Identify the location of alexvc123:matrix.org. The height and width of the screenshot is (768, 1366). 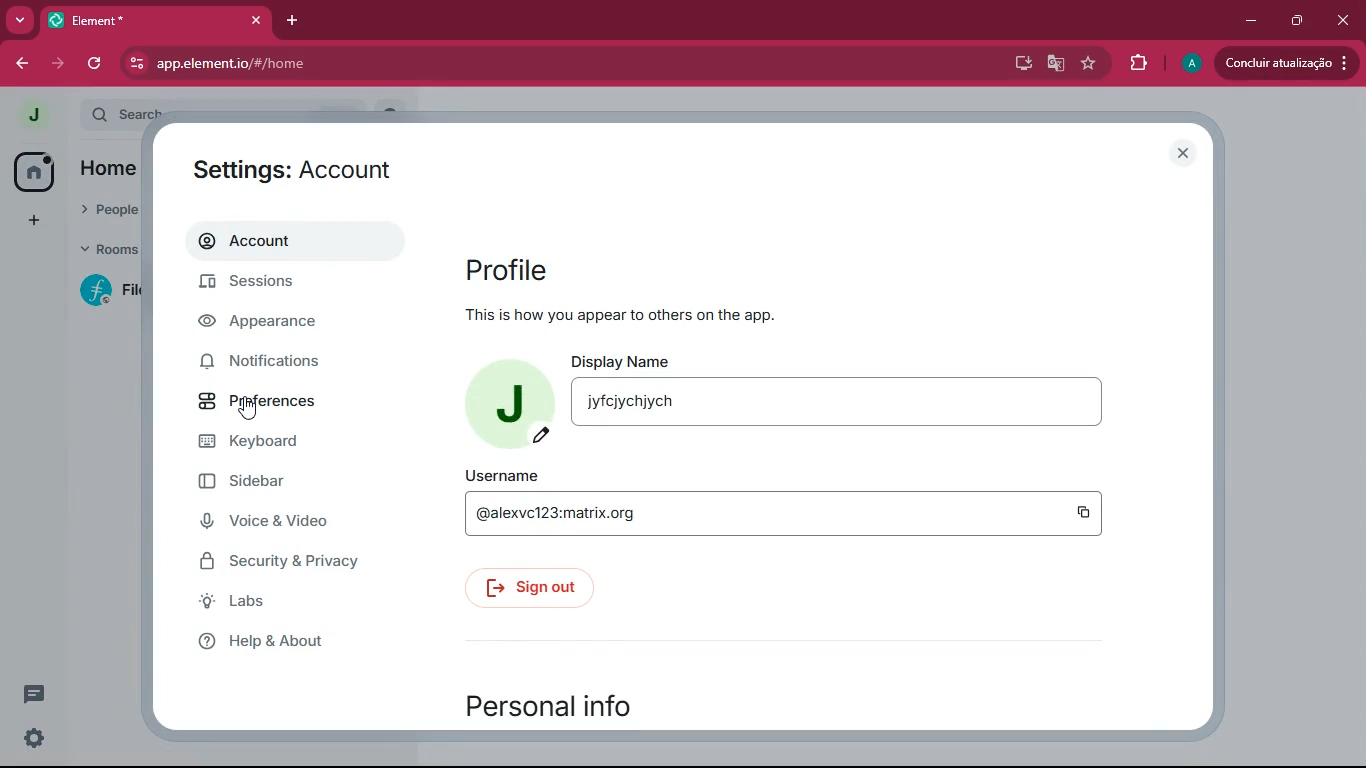
(717, 513).